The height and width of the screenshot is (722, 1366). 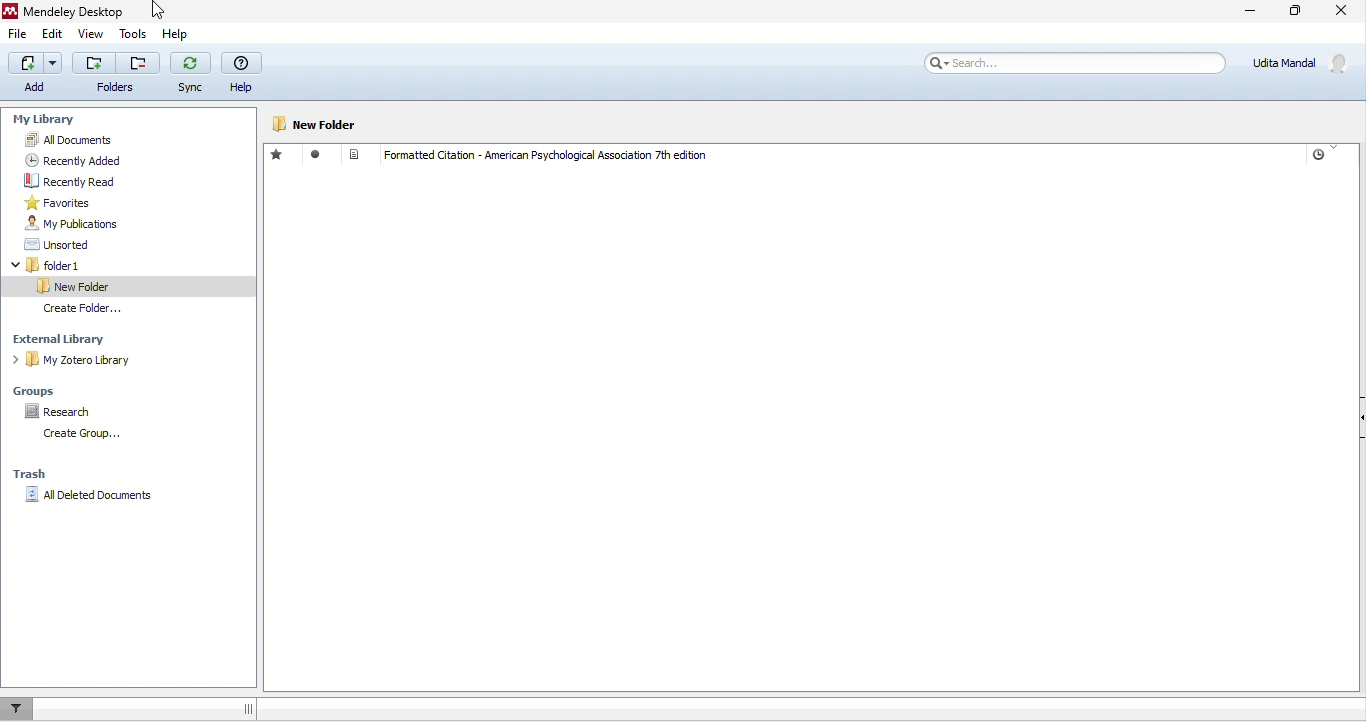 What do you see at coordinates (77, 160) in the screenshot?
I see `recently added` at bounding box center [77, 160].